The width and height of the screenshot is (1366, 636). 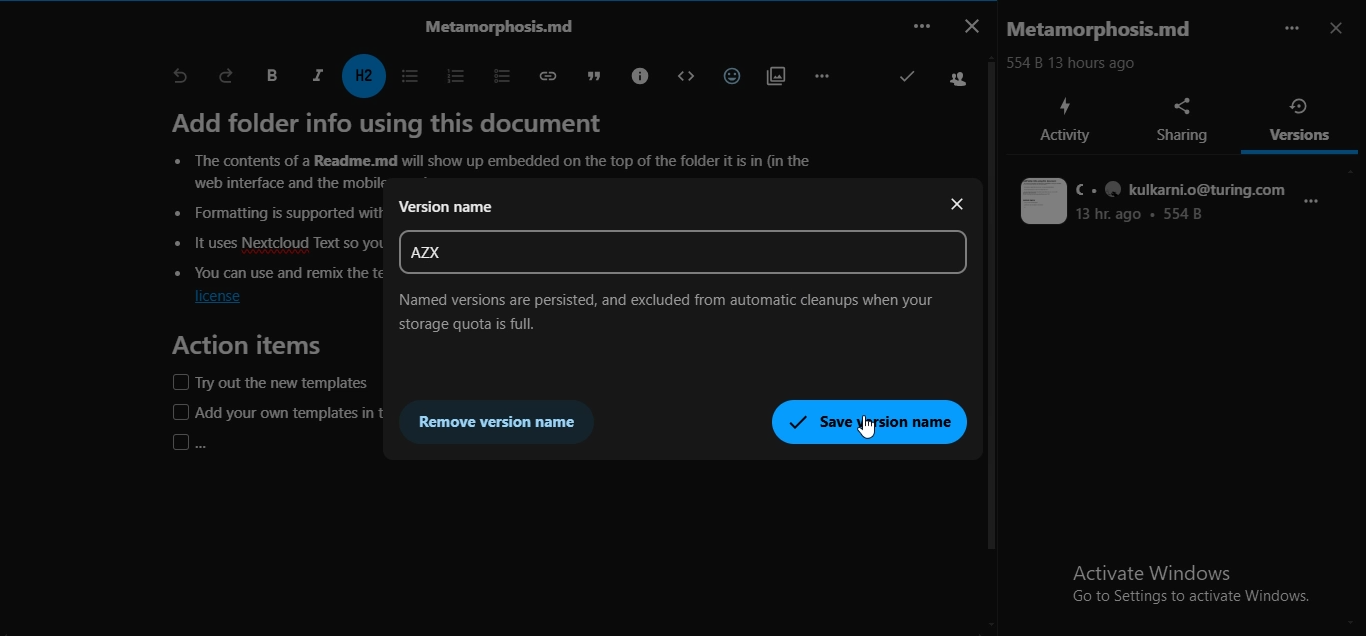 What do you see at coordinates (773, 74) in the screenshot?
I see `insert attachments` at bounding box center [773, 74].